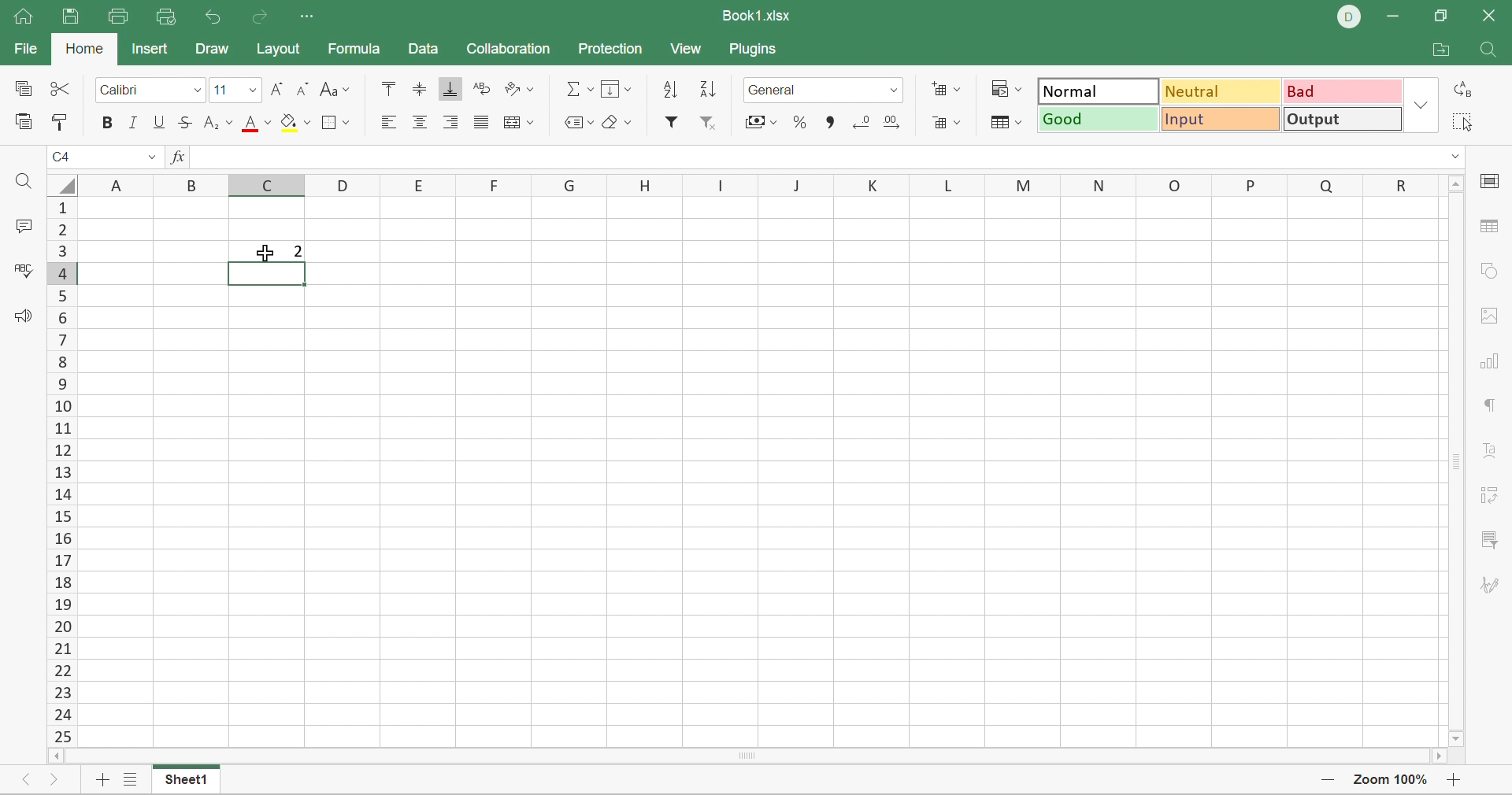 This screenshot has width=1512, height=795. Describe the element at coordinates (1459, 776) in the screenshot. I see `Zoom In` at that location.